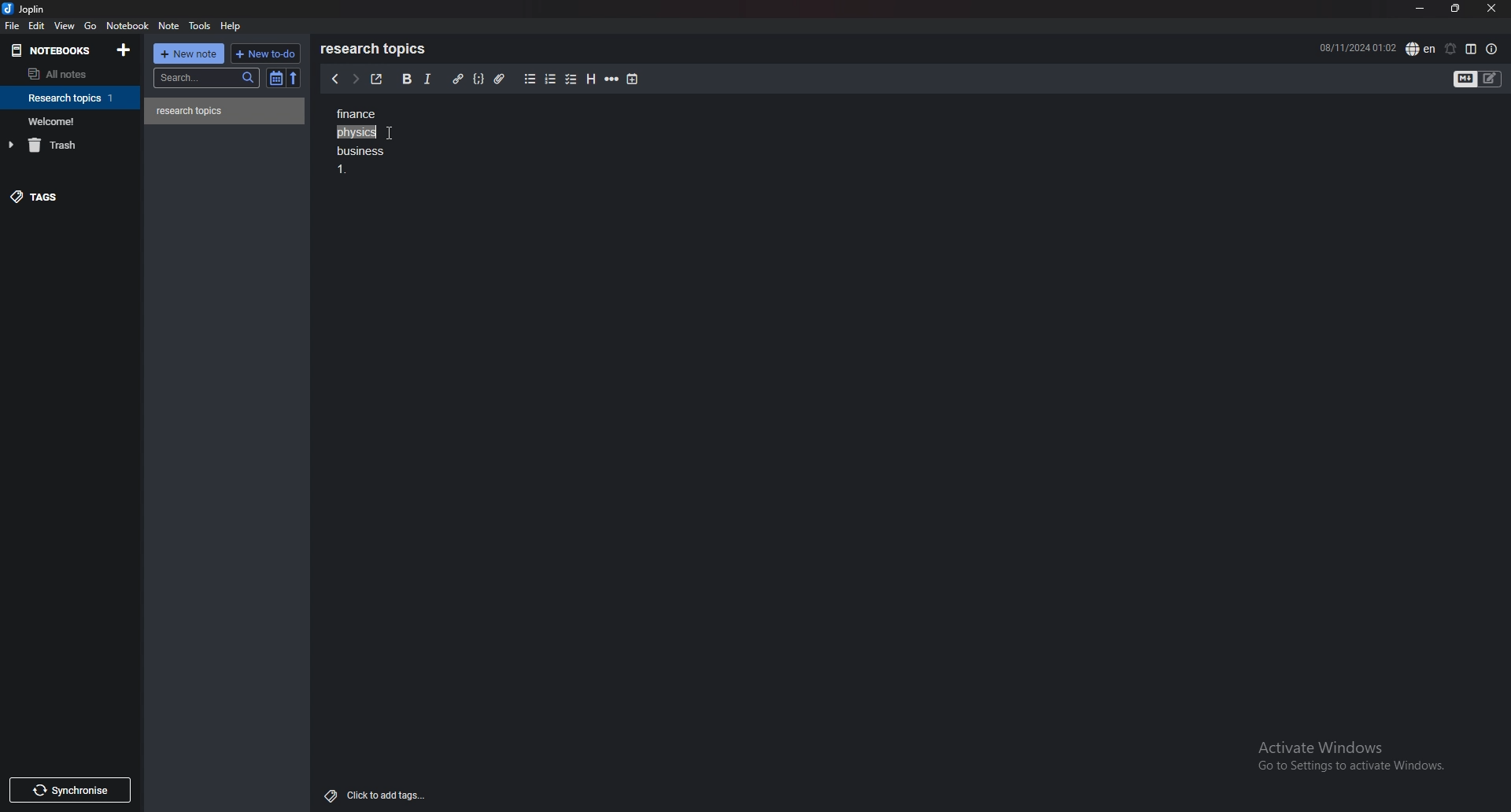 The width and height of the screenshot is (1511, 812). Describe the element at coordinates (530, 79) in the screenshot. I see `bullet list` at that location.